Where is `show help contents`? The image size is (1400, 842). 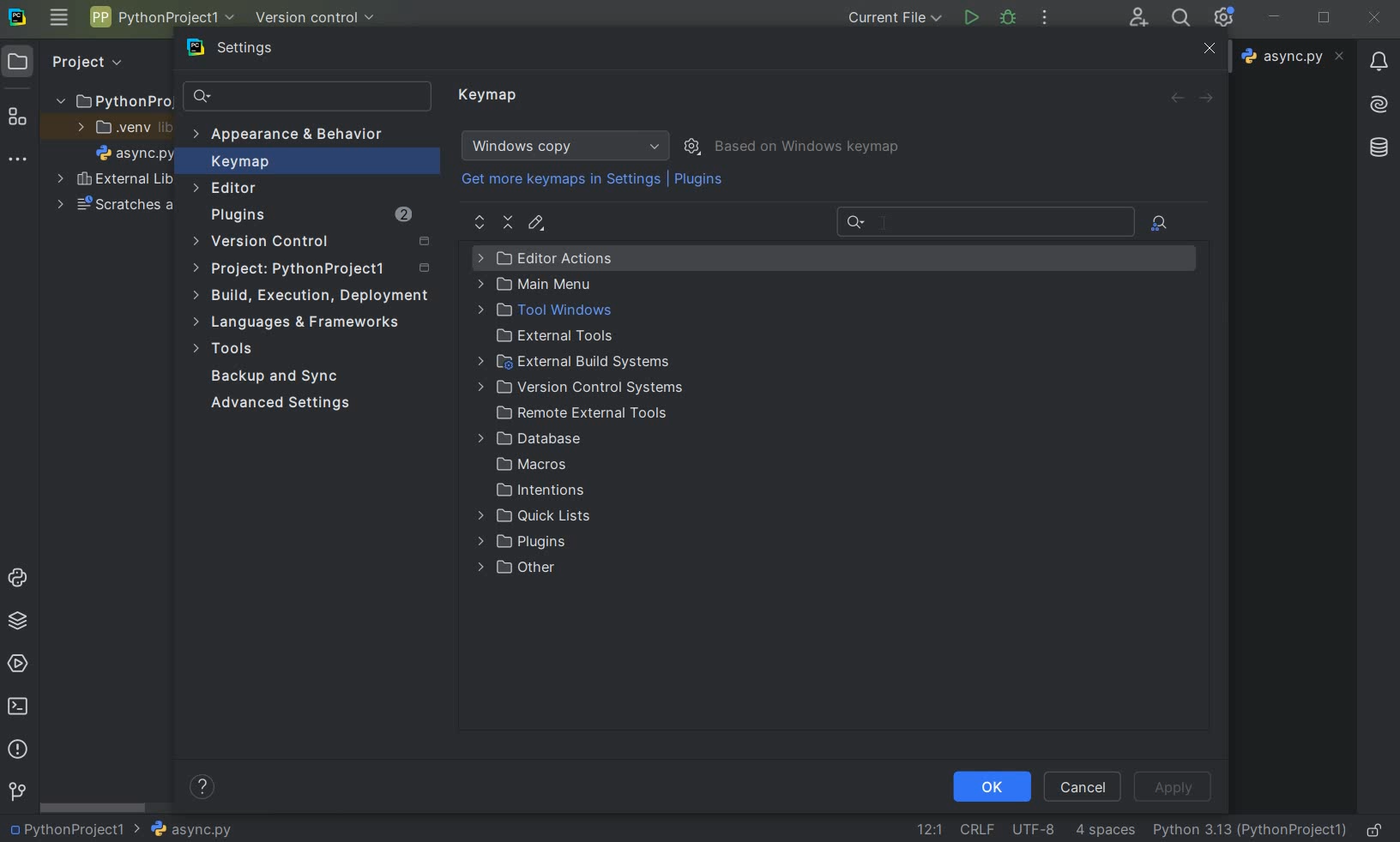
show help contents is located at coordinates (202, 790).